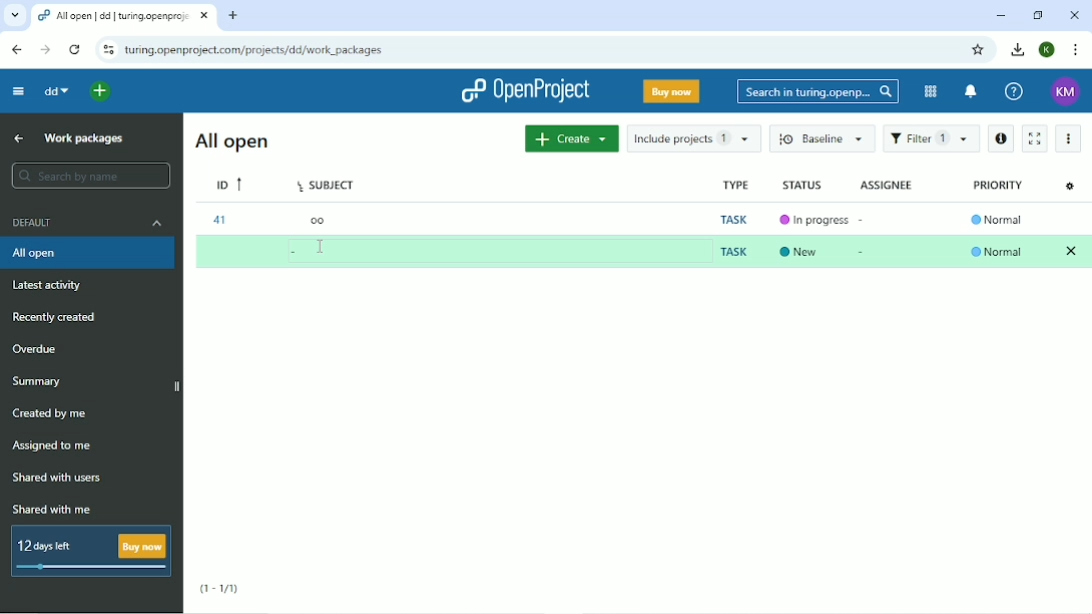 The width and height of the screenshot is (1092, 614). Describe the element at coordinates (56, 446) in the screenshot. I see `Assigned to me` at that location.